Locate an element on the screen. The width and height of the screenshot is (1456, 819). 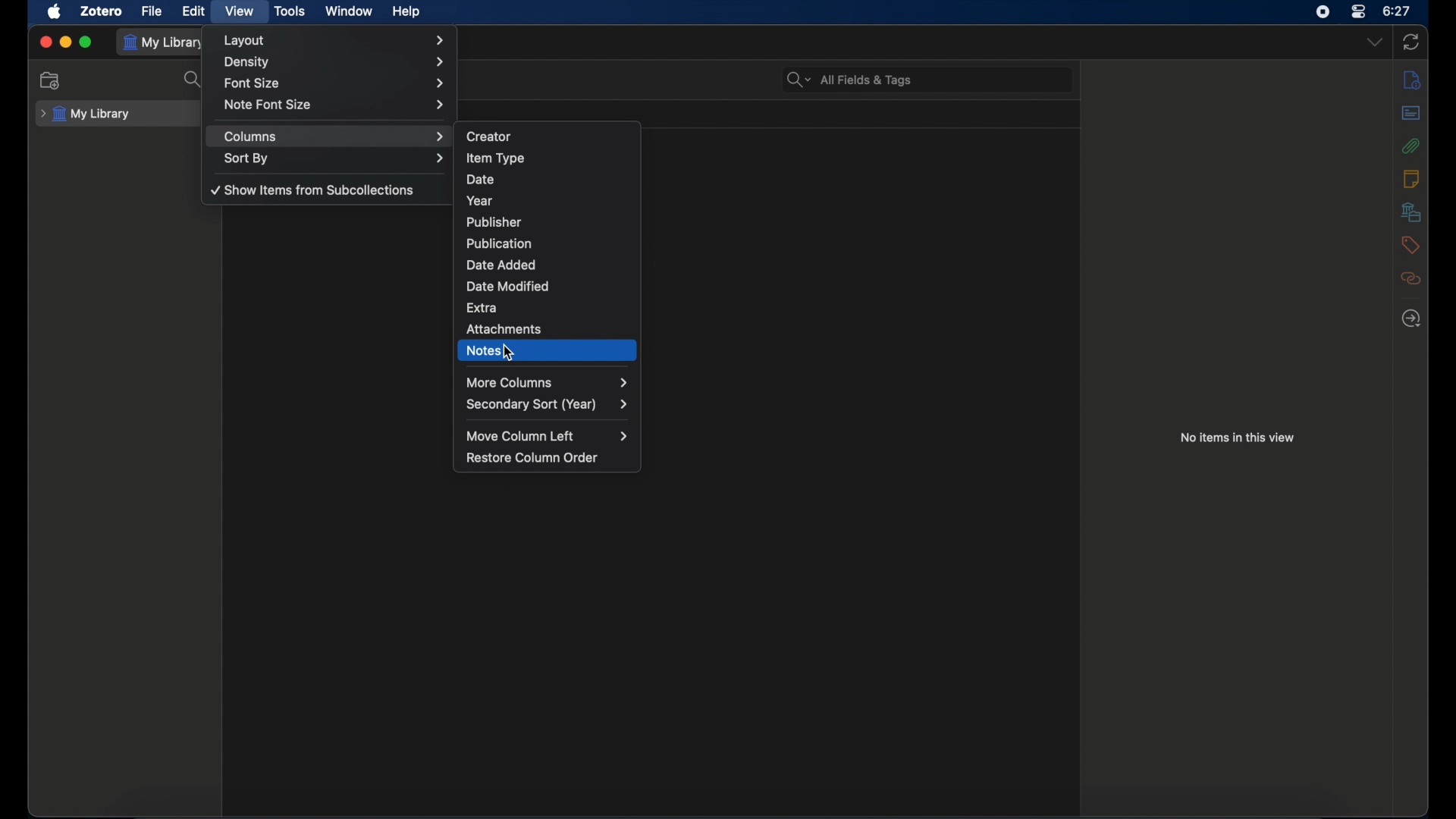
year is located at coordinates (482, 200).